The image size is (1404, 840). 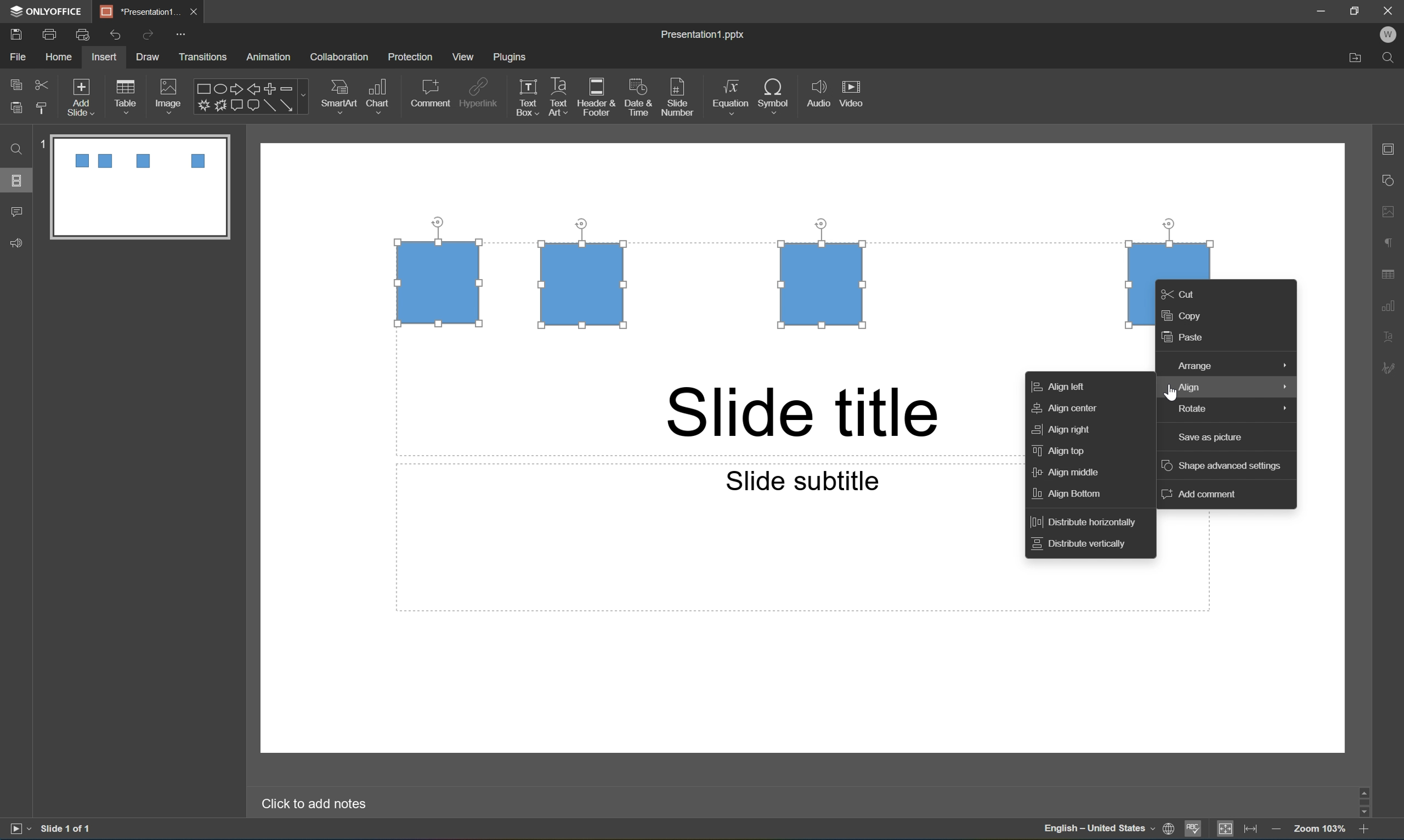 What do you see at coordinates (1069, 496) in the screenshot?
I see `Align bottom` at bounding box center [1069, 496].